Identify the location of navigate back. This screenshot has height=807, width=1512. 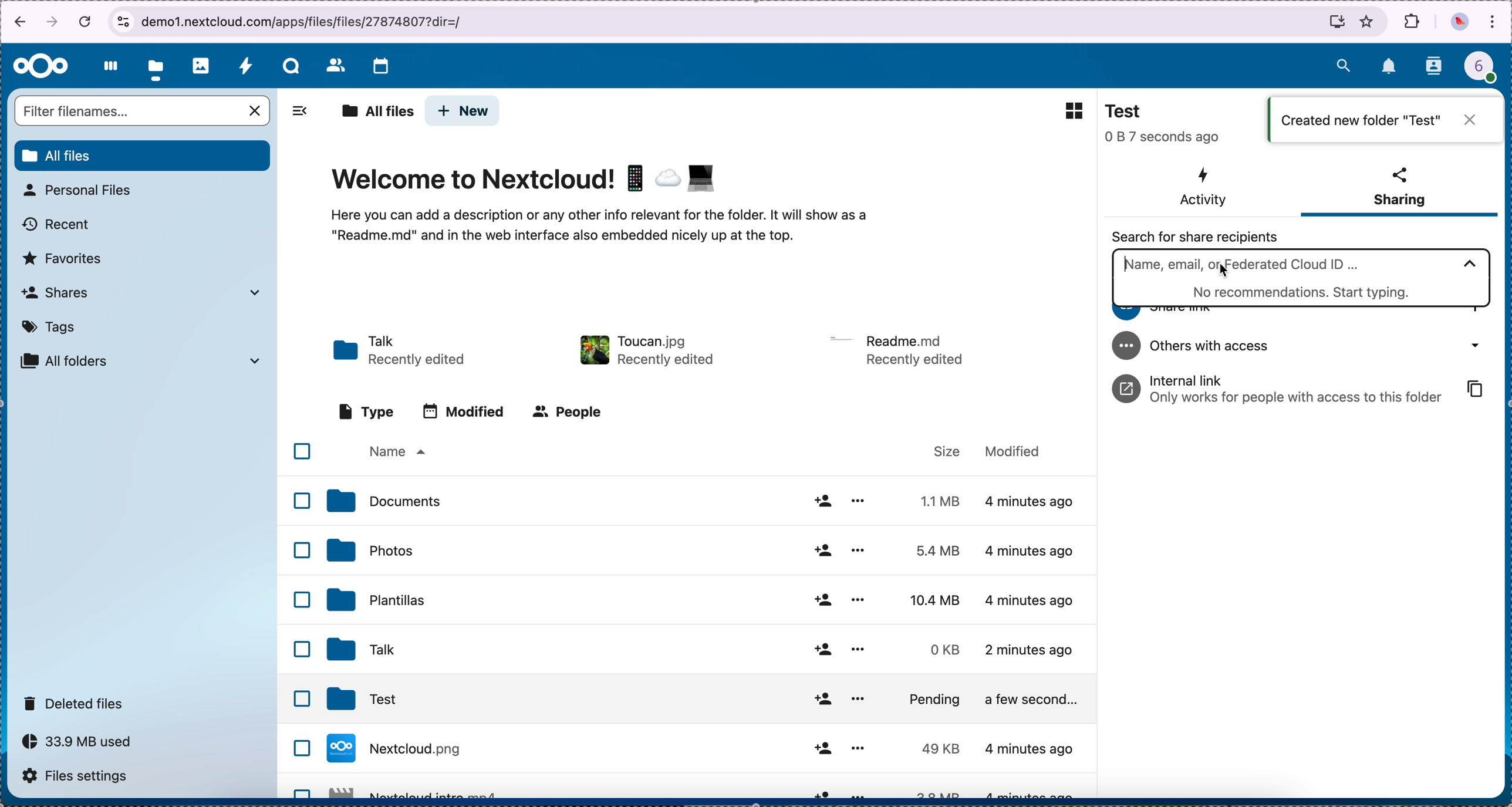
(16, 24).